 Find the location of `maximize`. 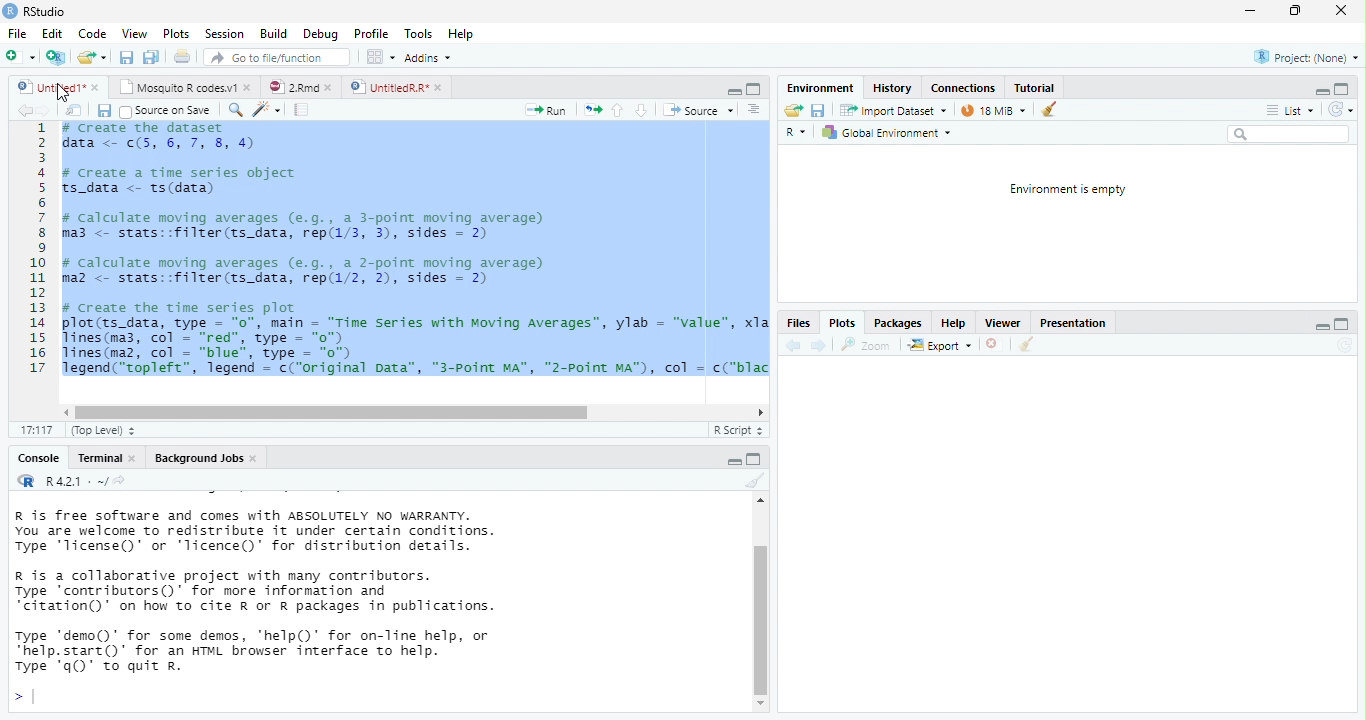

maximize is located at coordinates (735, 462).